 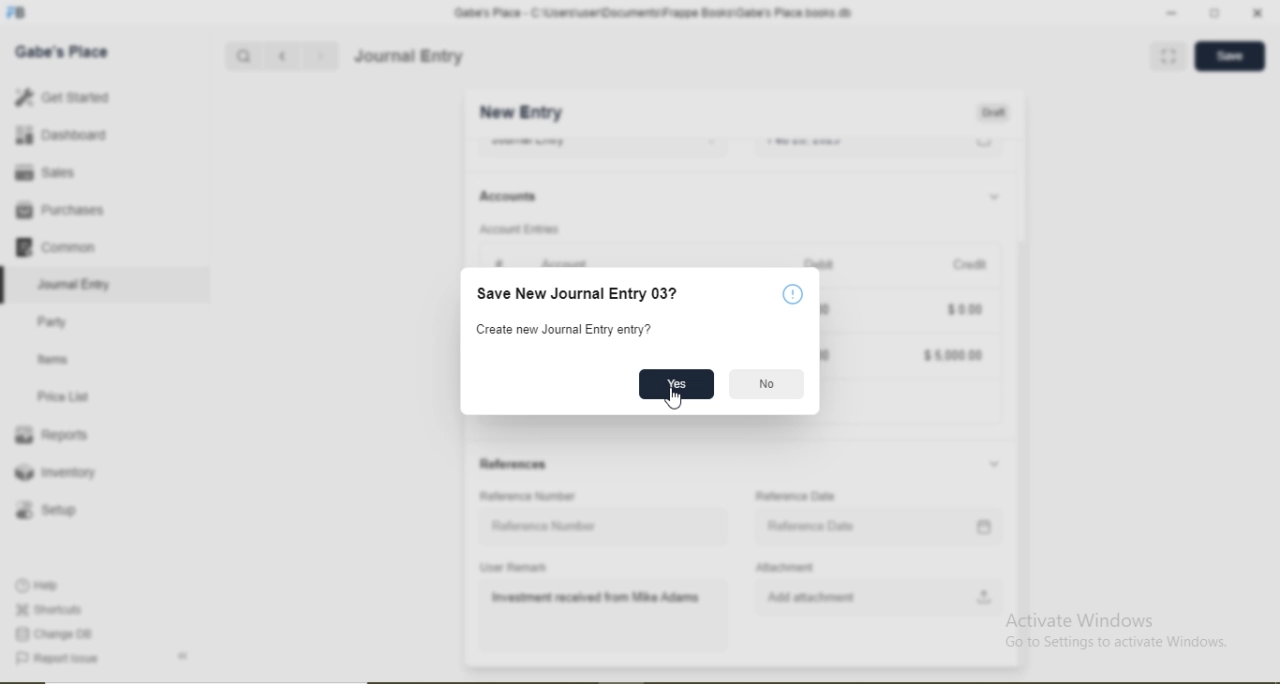 I want to click on Dashboard, so click(x=62, y=134).